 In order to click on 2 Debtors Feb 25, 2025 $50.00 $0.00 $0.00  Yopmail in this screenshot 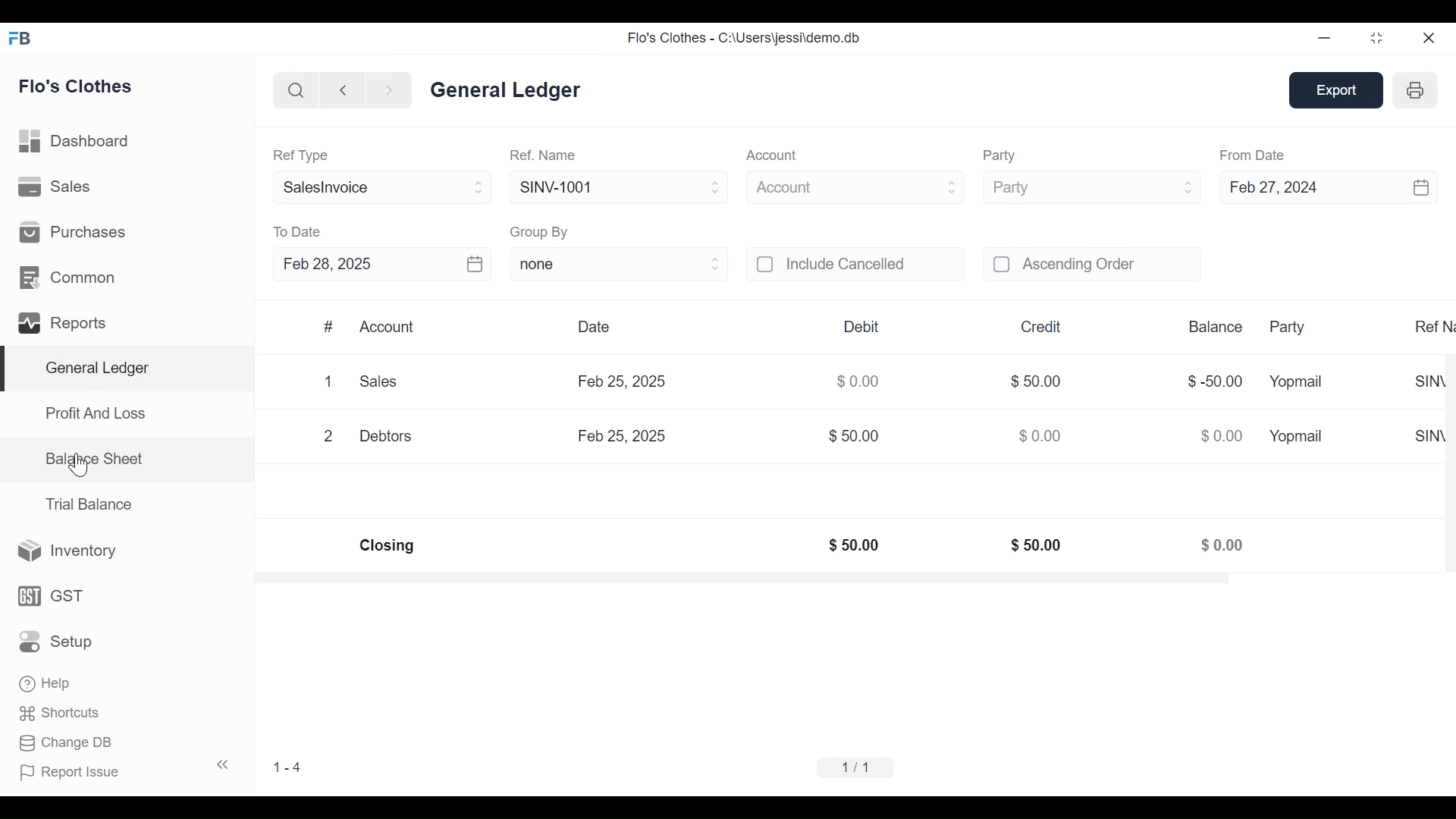, I will do `click(822, 437)`.